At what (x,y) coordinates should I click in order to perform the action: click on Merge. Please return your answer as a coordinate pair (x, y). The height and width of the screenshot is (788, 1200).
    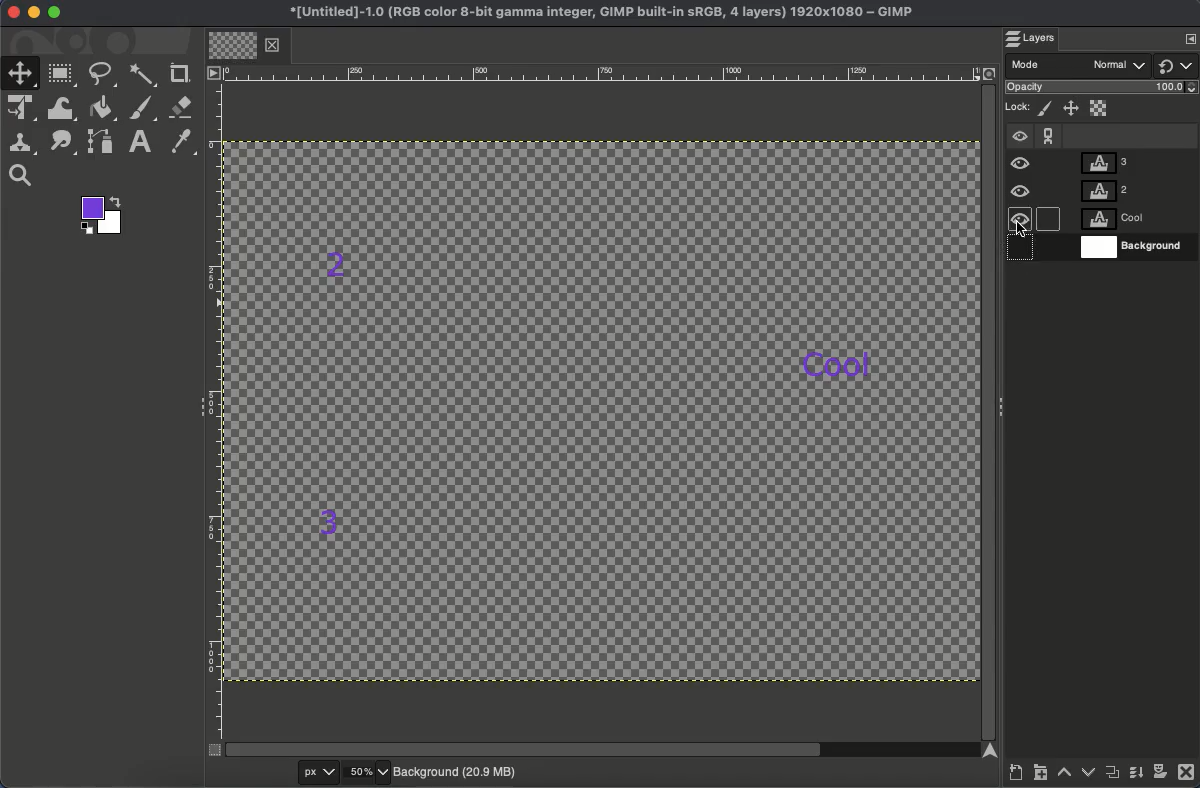
    Looking at the image, I should click on (1135, 777).